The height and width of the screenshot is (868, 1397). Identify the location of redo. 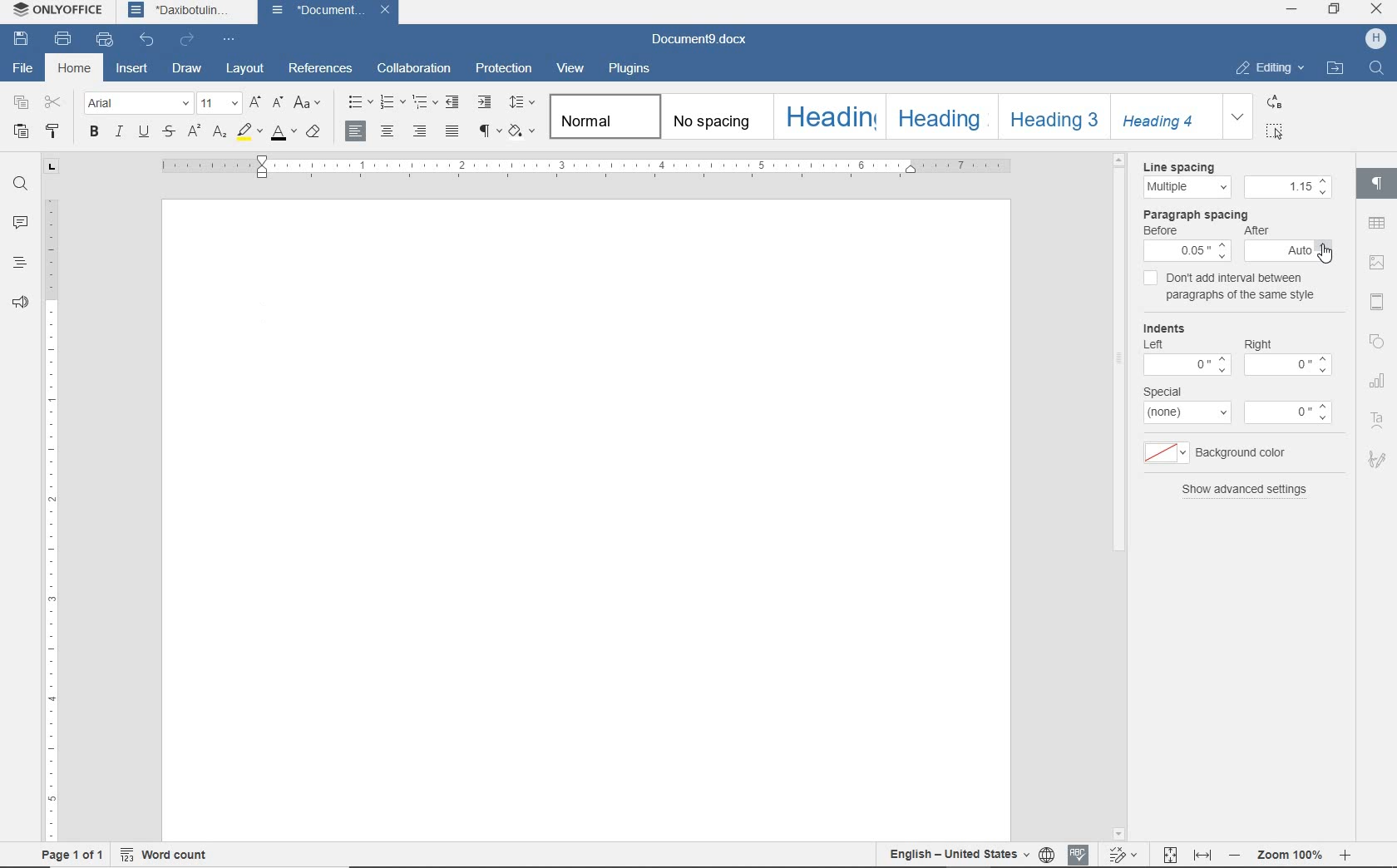
(187, 41).